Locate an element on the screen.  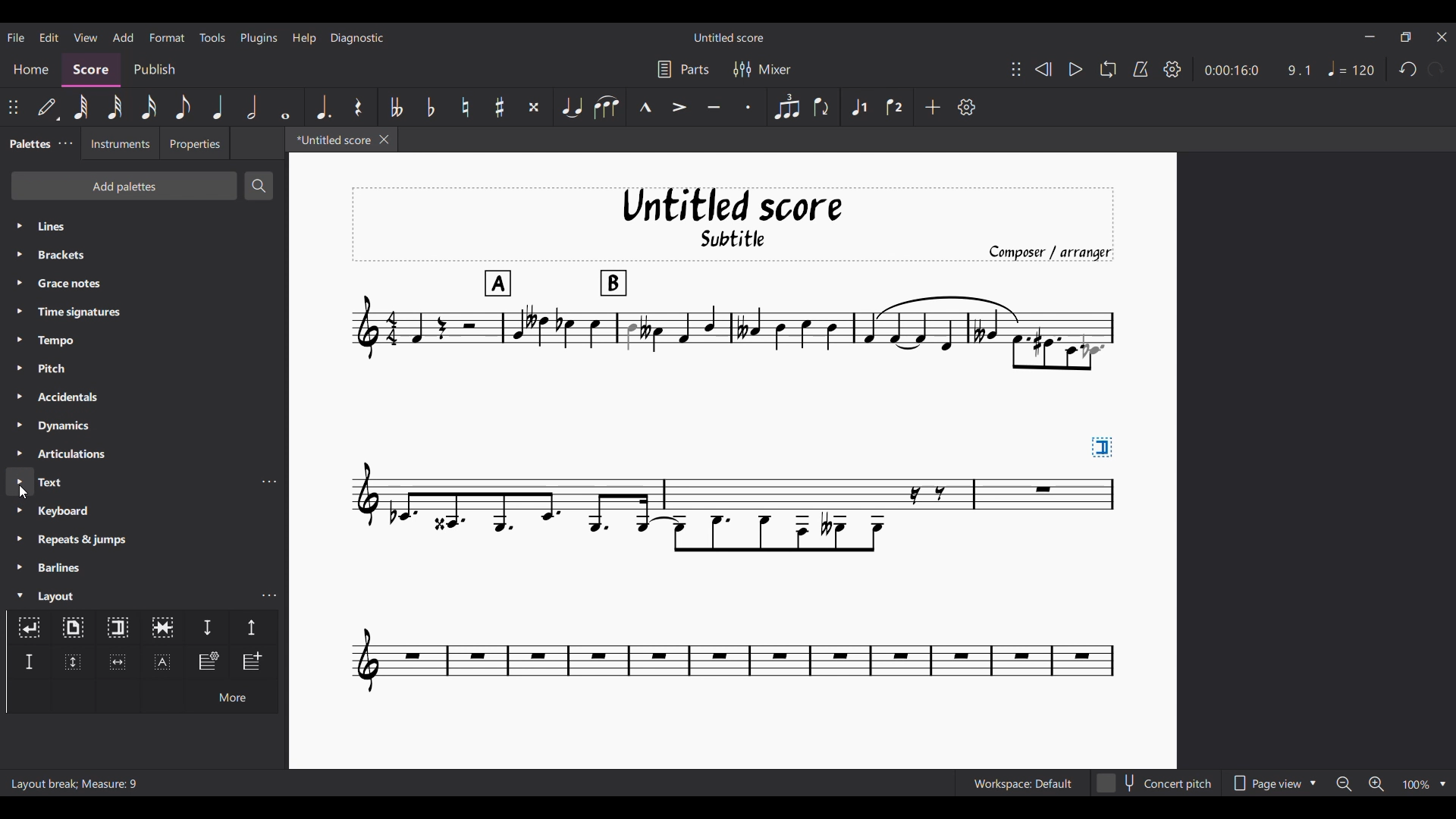
Add palettes is located at coordinates (124, 186).